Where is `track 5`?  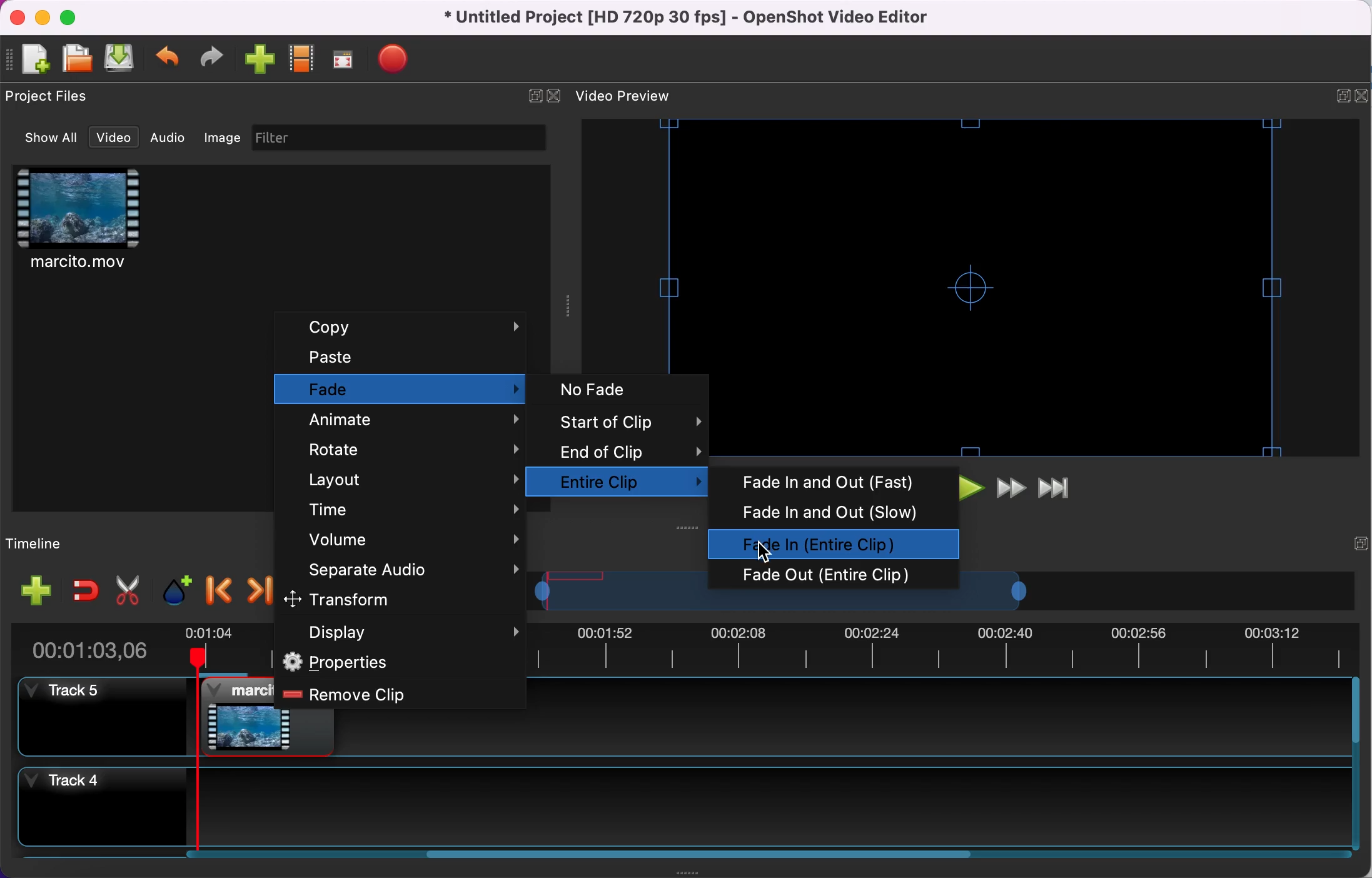 track 5 is located at coordinates (102, 720).